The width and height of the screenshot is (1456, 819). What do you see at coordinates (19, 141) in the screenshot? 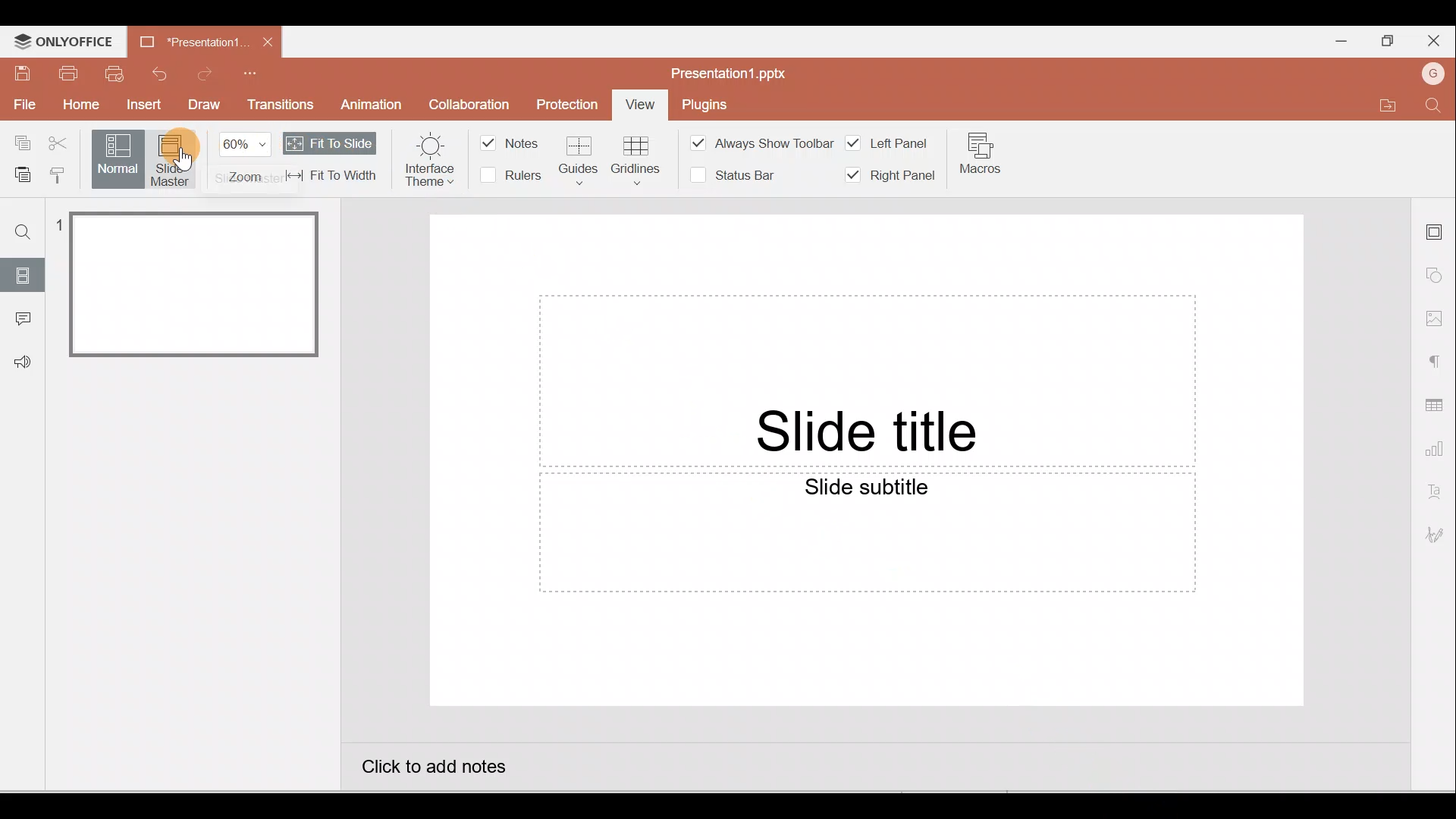
I see `Copy` at bounding box center [19, 141].